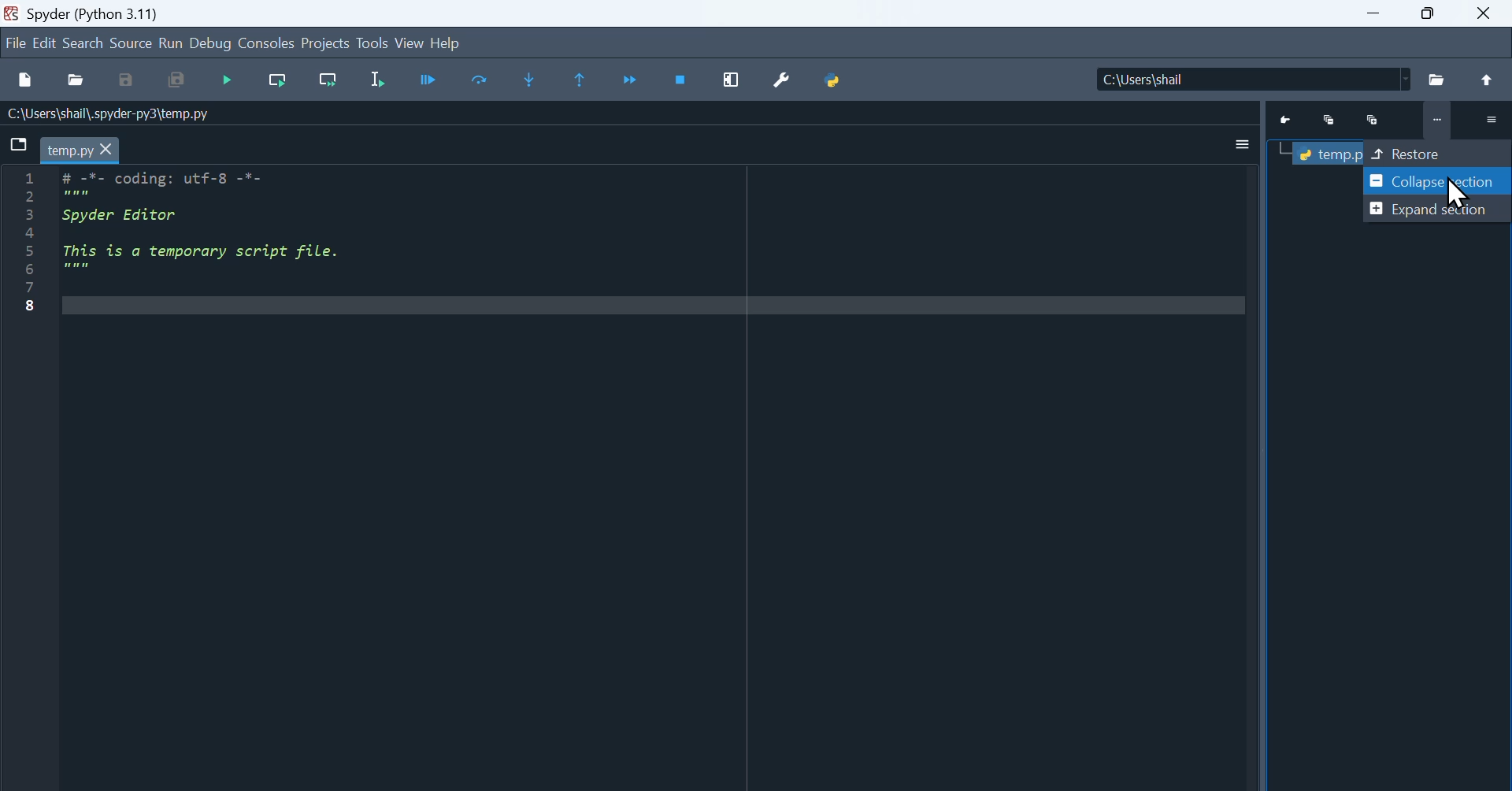 This screenshot has width=1512, height=791. Describe the element at coordinates (1487, 13) in the screenshot. I see `close` at that location.